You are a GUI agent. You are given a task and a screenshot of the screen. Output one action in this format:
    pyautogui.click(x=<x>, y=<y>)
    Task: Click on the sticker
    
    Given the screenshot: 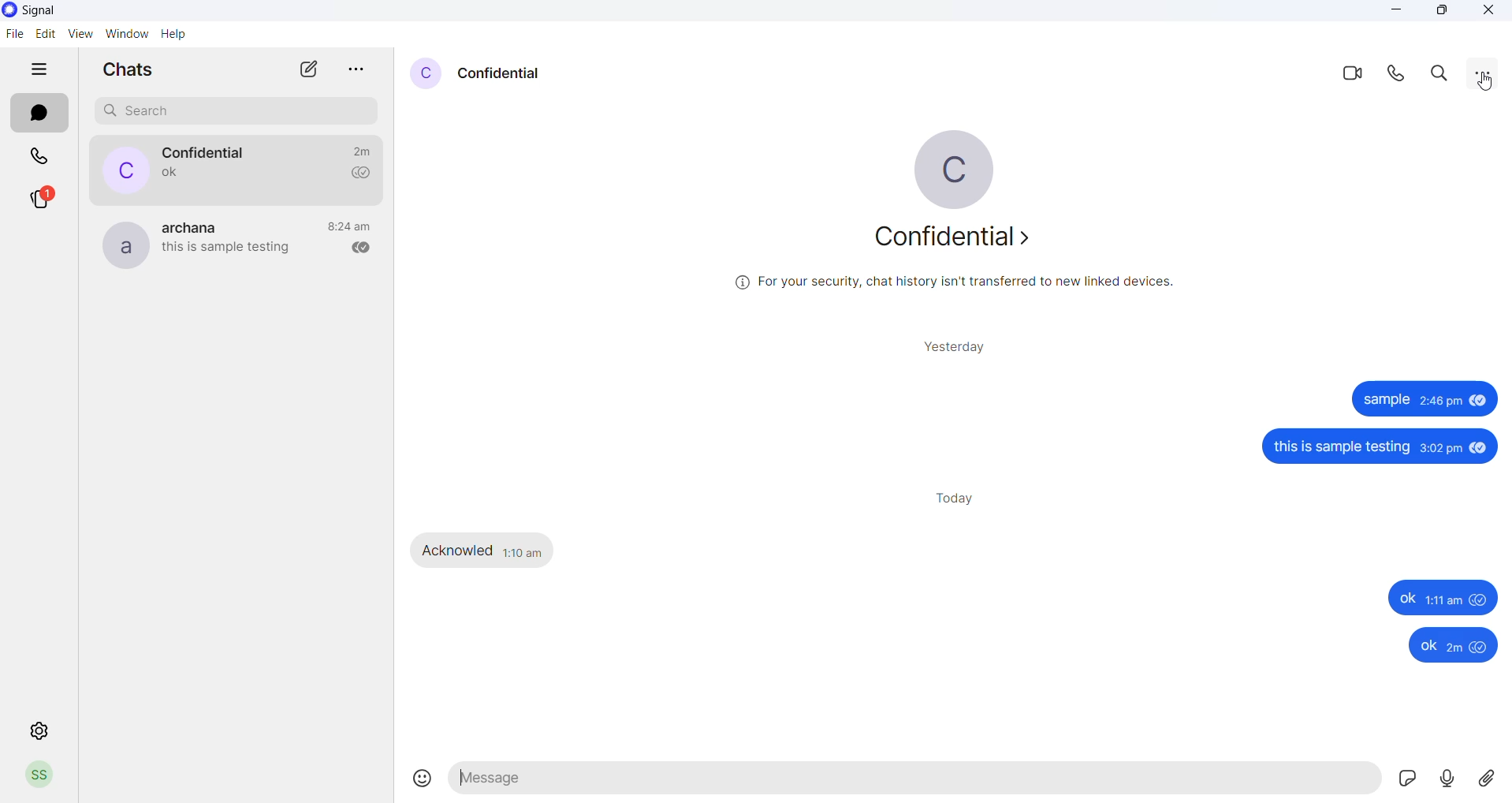 What is the action you would take?
    pyautogui.click(x=1406, y=782)
    